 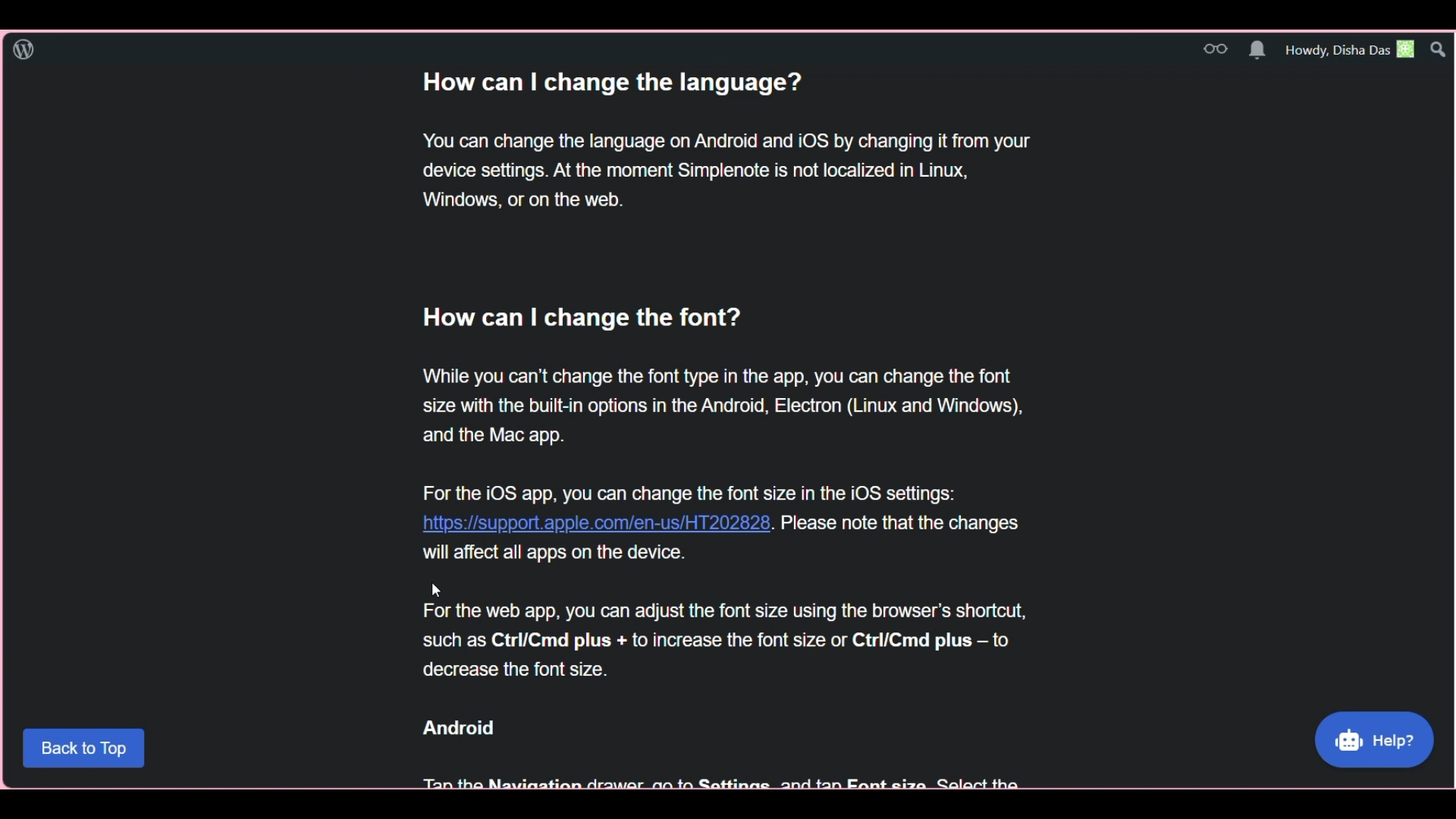 What do you see at coordinates (758, 646) in the screenshot?
I see `will affect all apps on the device.

rk
For the web app, you can adjust the font size using the browser's shortcut,
such as Ctrl/Cmd plus + to increase the font size or Ctrl/Cmd plus — to
decrease the font size.
Android` at bounding box center [758, 646].